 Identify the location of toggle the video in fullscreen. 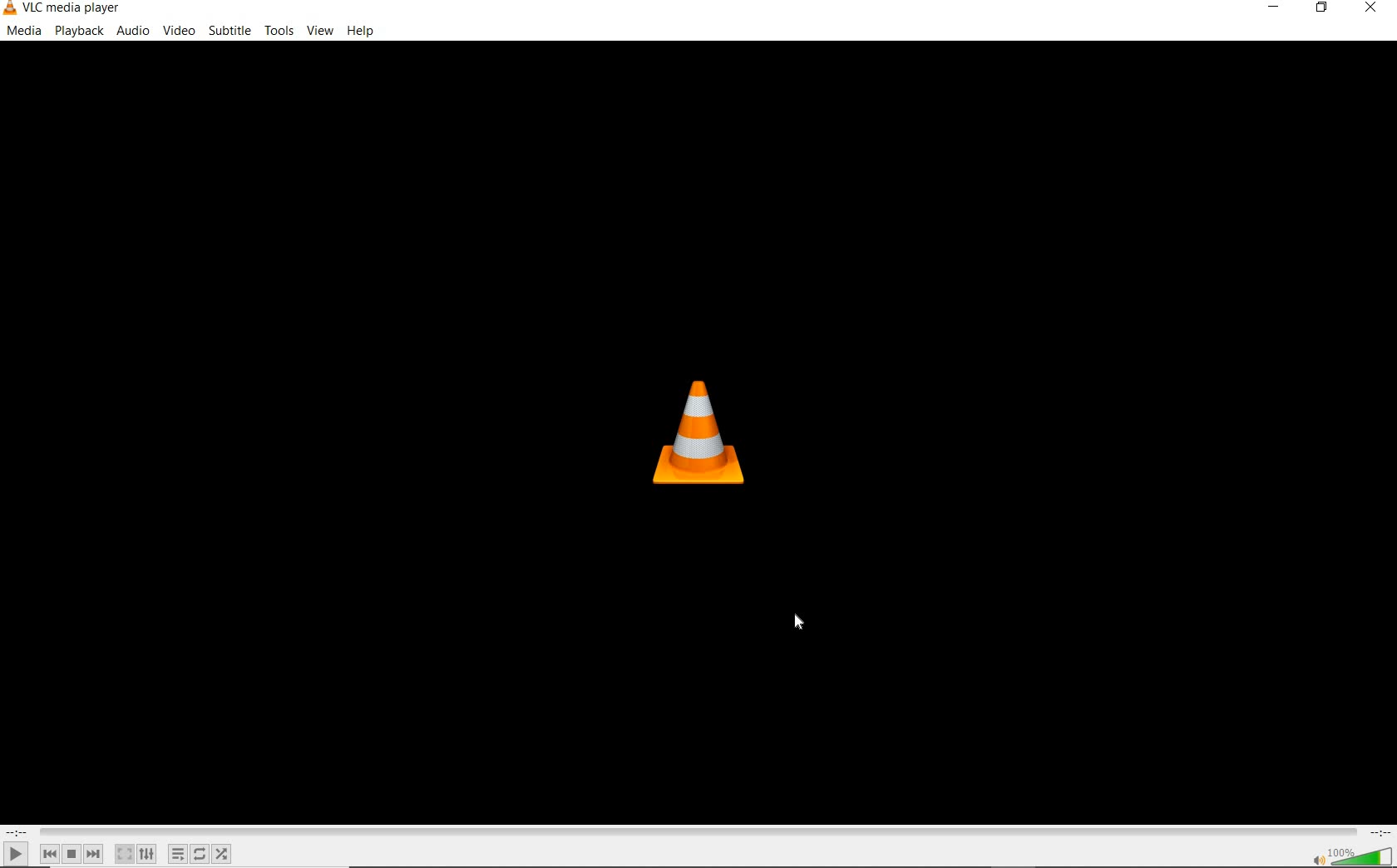
(124, 854).